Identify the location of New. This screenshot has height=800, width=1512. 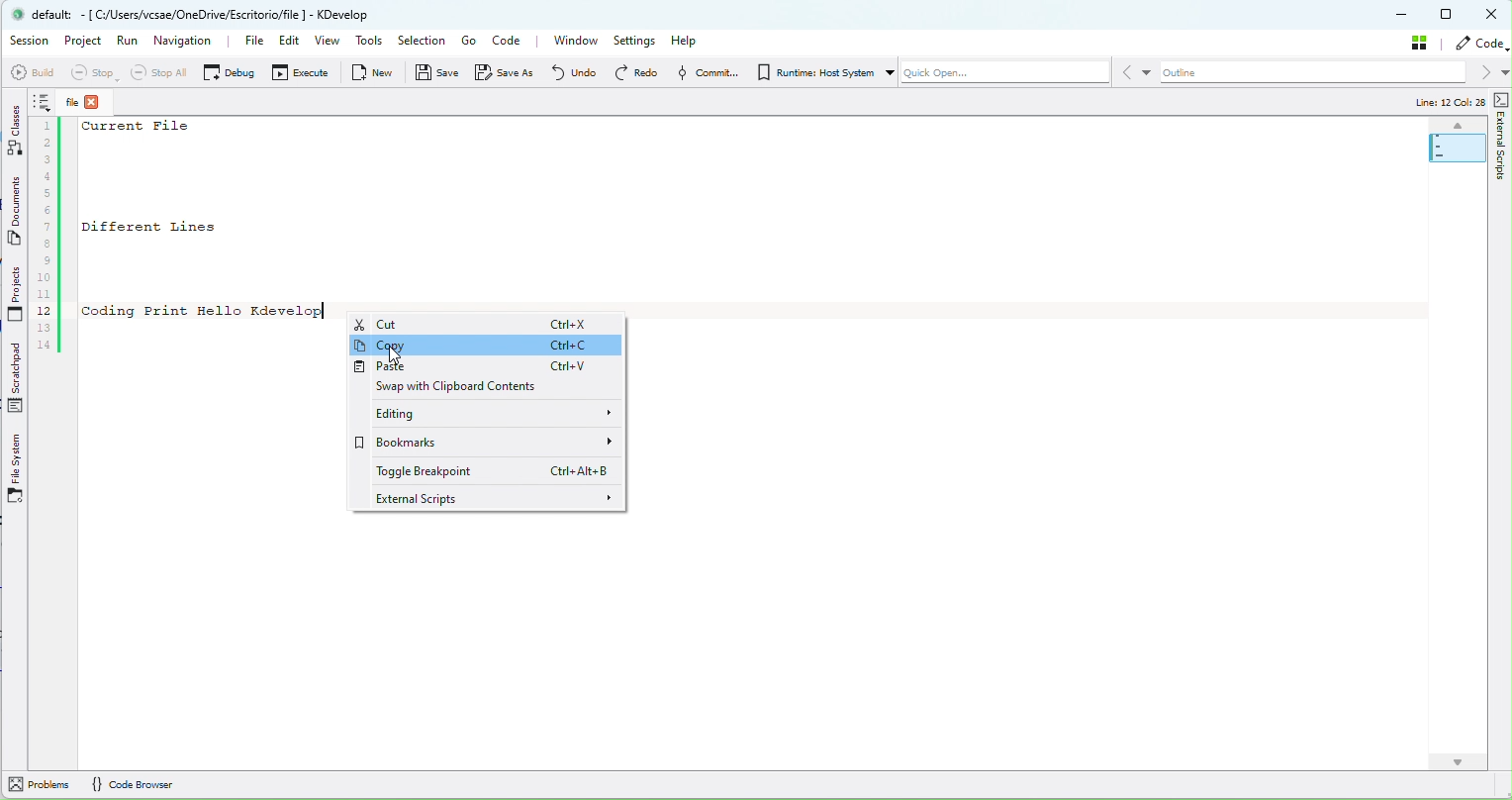
(376, 72).